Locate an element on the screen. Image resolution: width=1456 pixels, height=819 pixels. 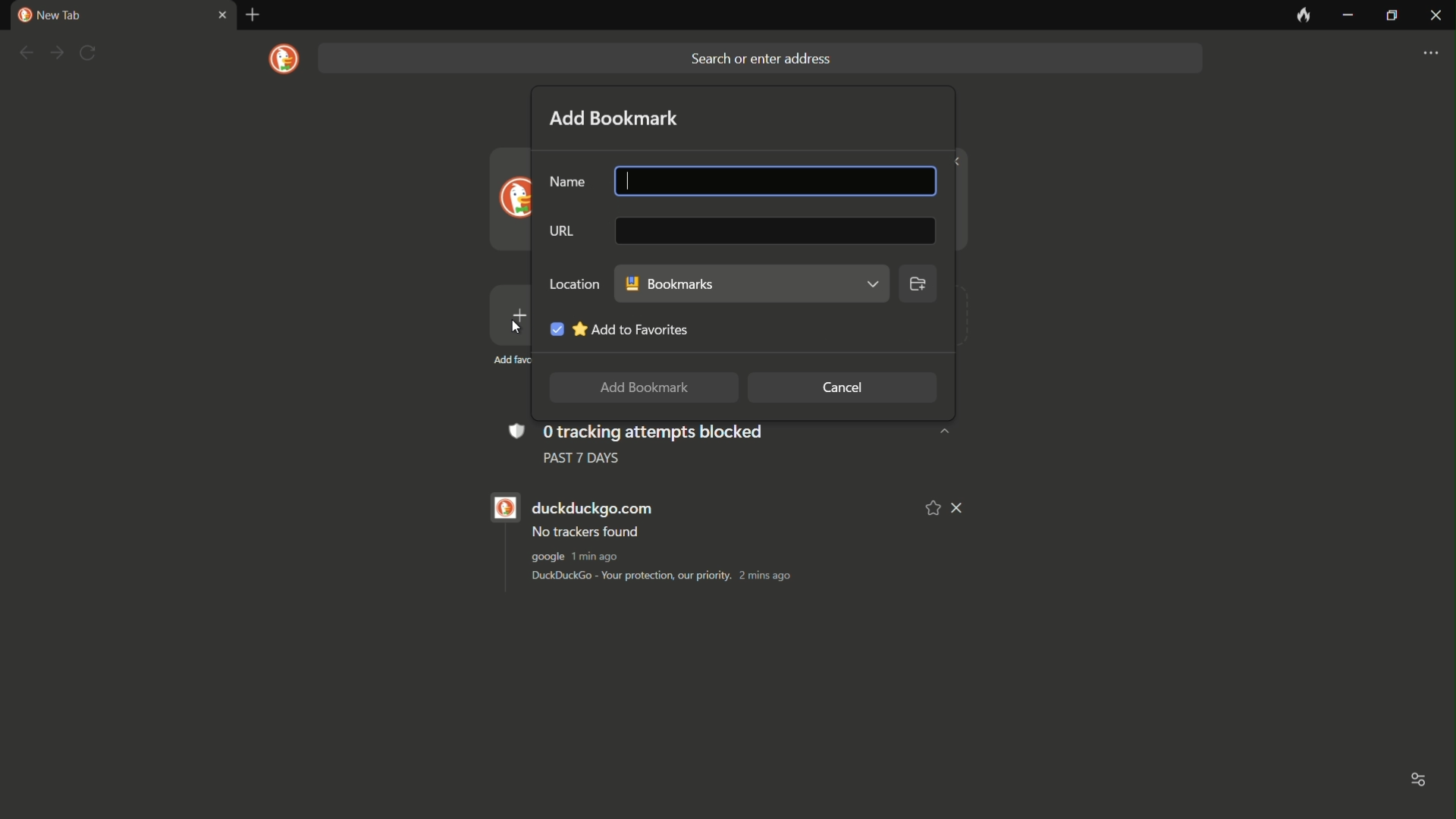
add to bookmark button is located at coordinates (639, 388).